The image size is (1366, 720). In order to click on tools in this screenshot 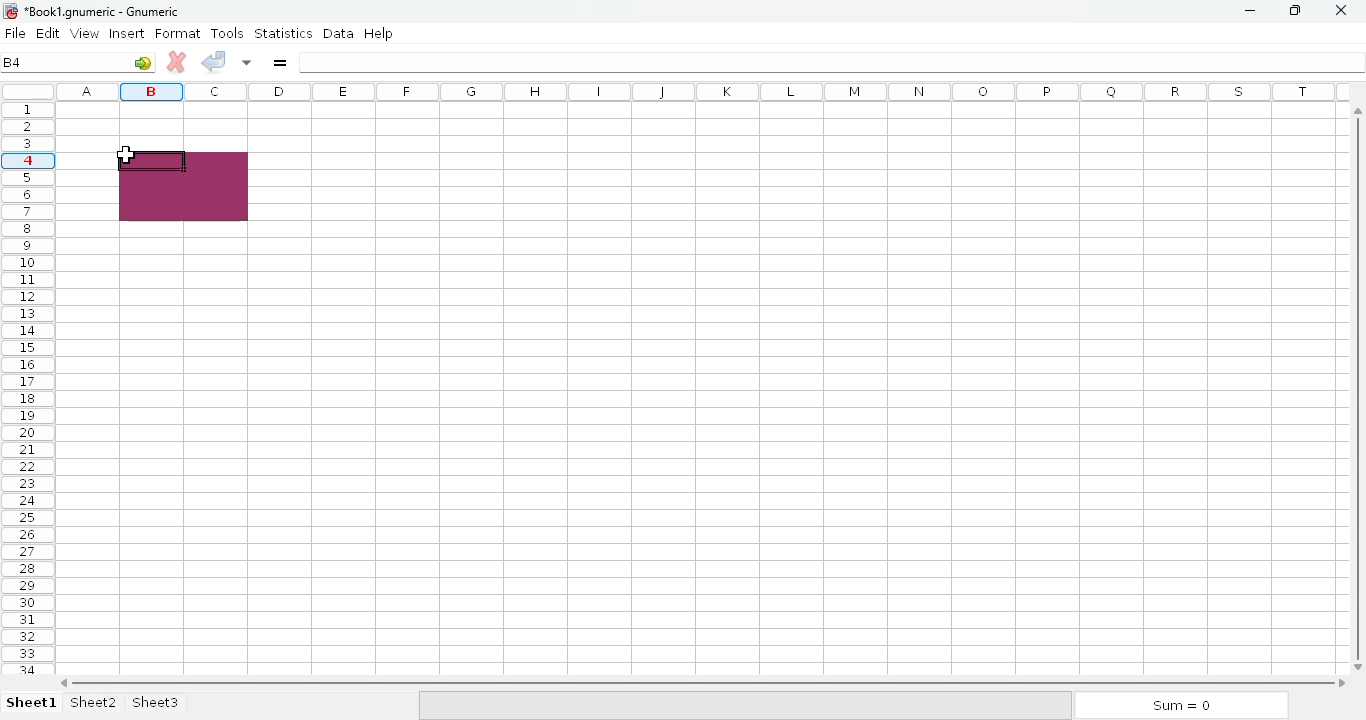, I will do `click(226, 33)`.